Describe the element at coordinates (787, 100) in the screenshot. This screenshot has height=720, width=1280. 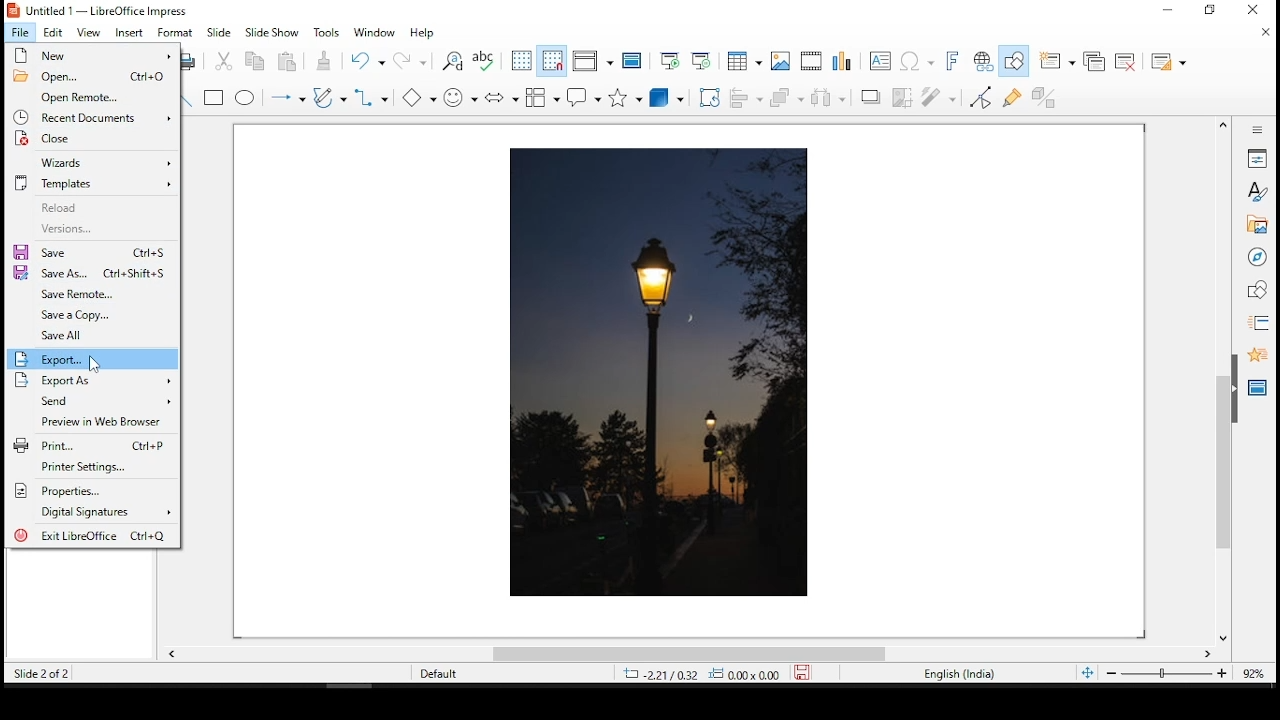
I see `arrange` at that location.